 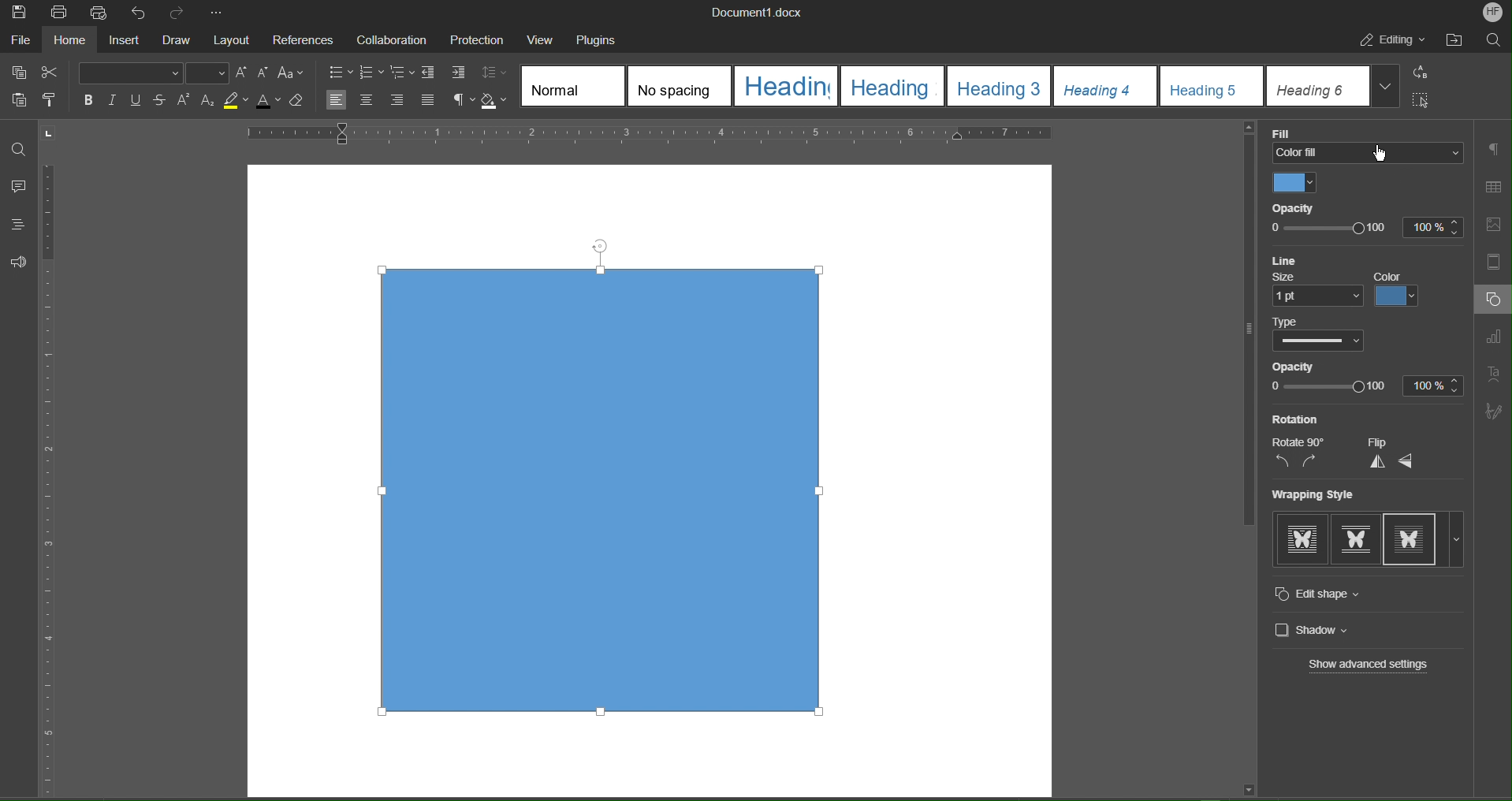 I want to click on Bold, so click(x=88, y=100).